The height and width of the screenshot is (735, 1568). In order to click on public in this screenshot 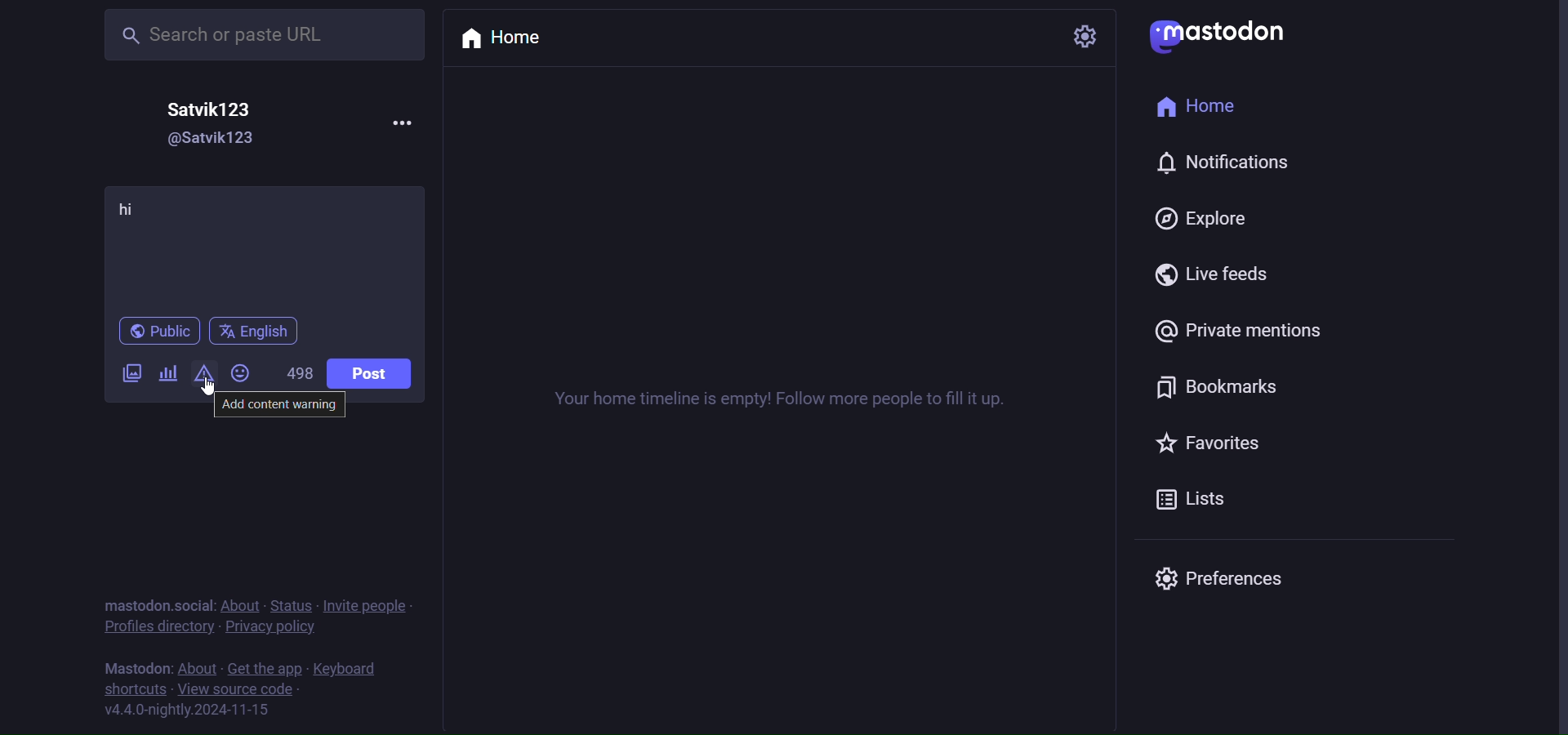, I will do `click(158, 332)`.